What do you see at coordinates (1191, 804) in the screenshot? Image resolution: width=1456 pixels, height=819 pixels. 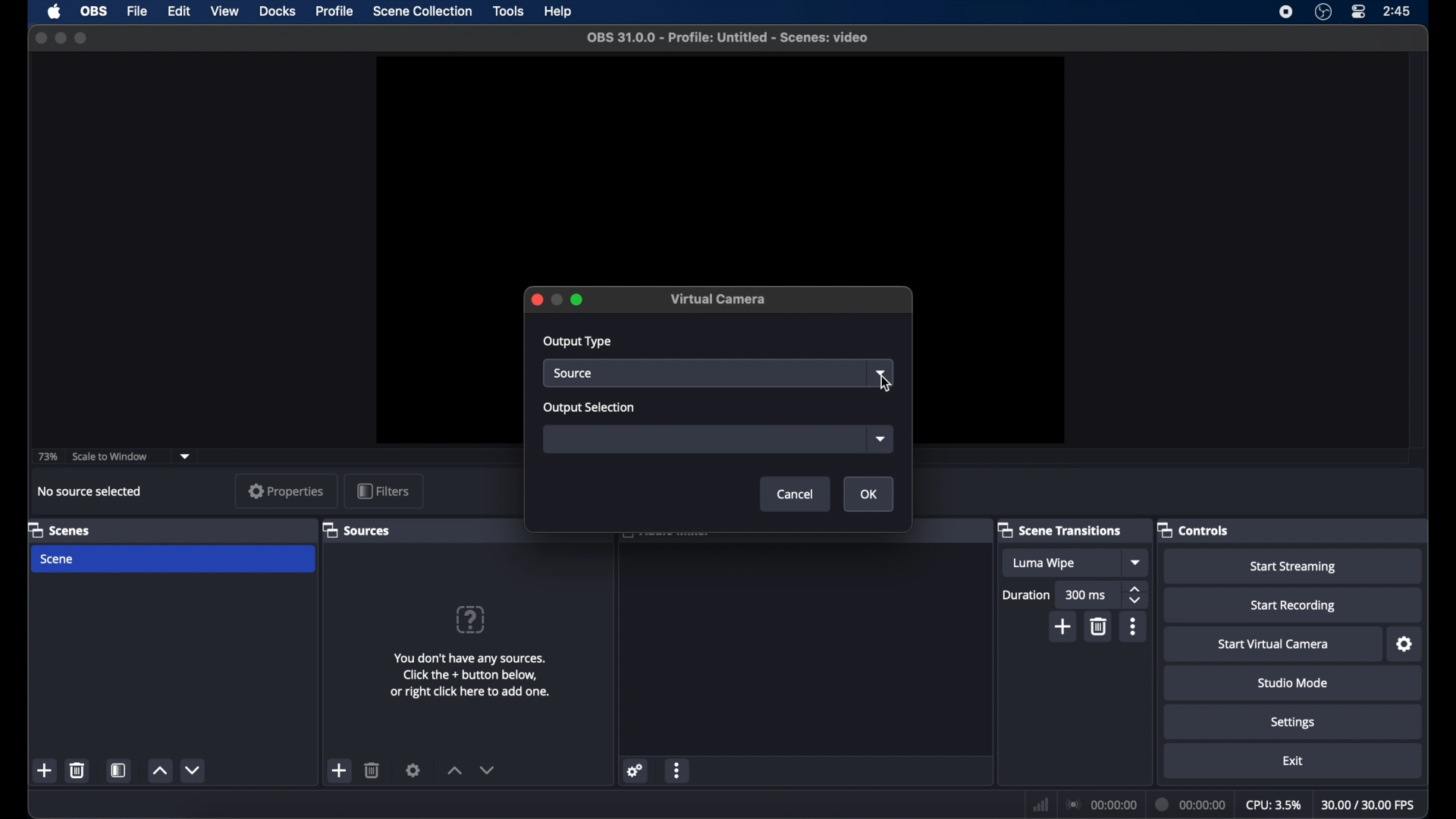 I see `duration` at bounding box center [1191, 804].